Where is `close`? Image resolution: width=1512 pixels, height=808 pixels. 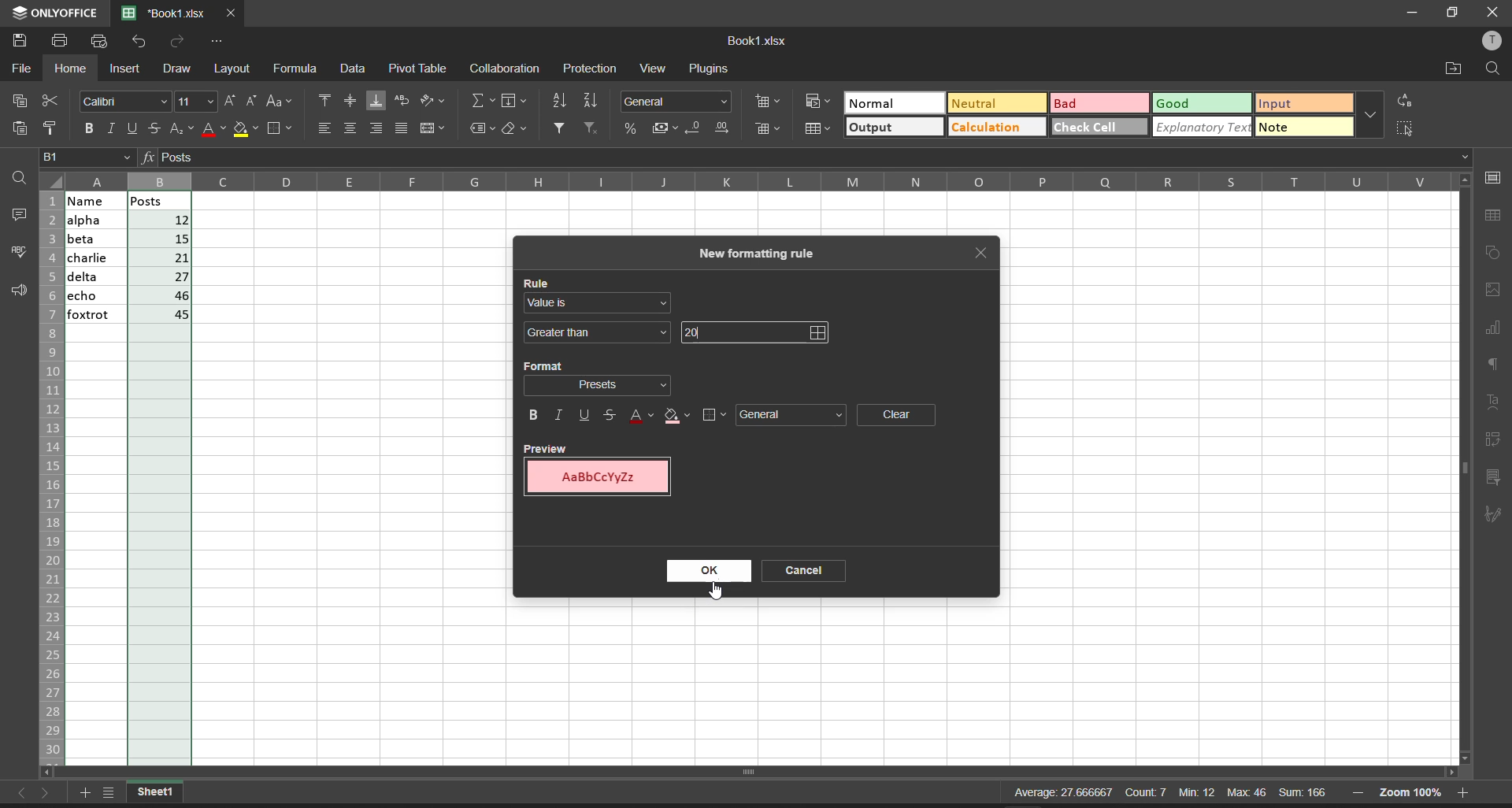 close is located at coordinates (1496, 12).